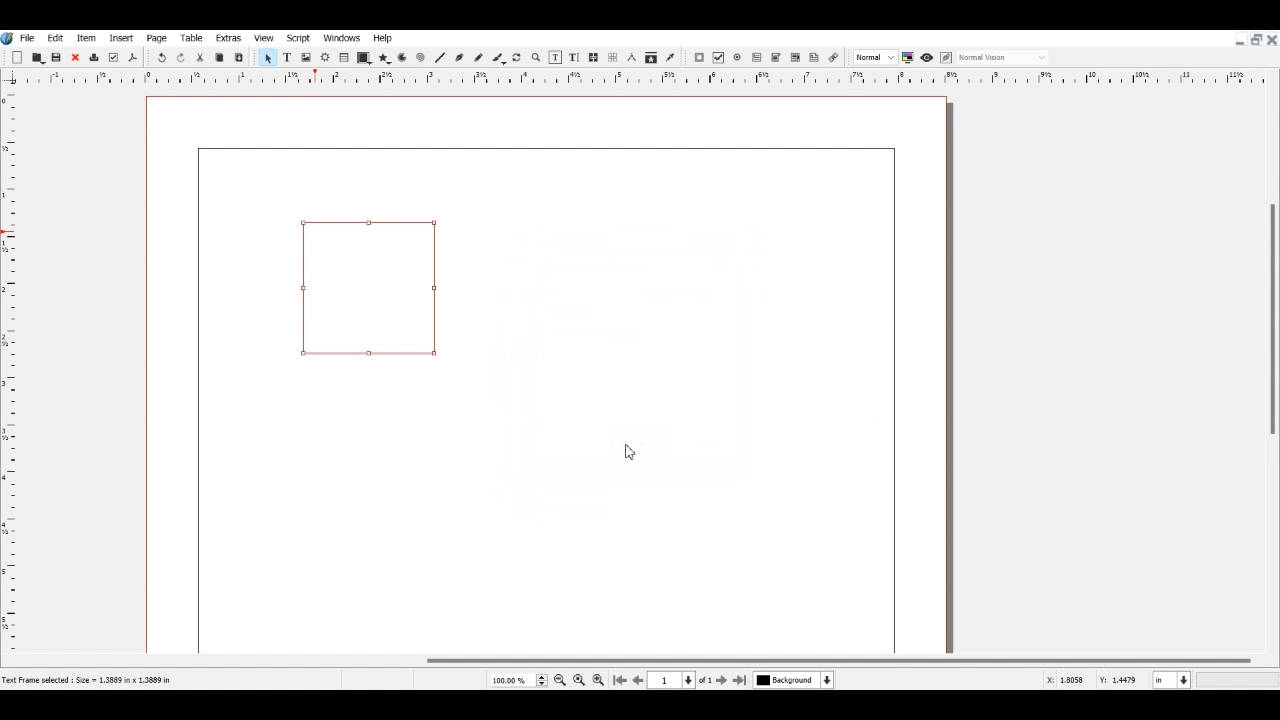  Describe the element at coordinates (1256, 38) in the screenshot. I see `Maximize` at that location.